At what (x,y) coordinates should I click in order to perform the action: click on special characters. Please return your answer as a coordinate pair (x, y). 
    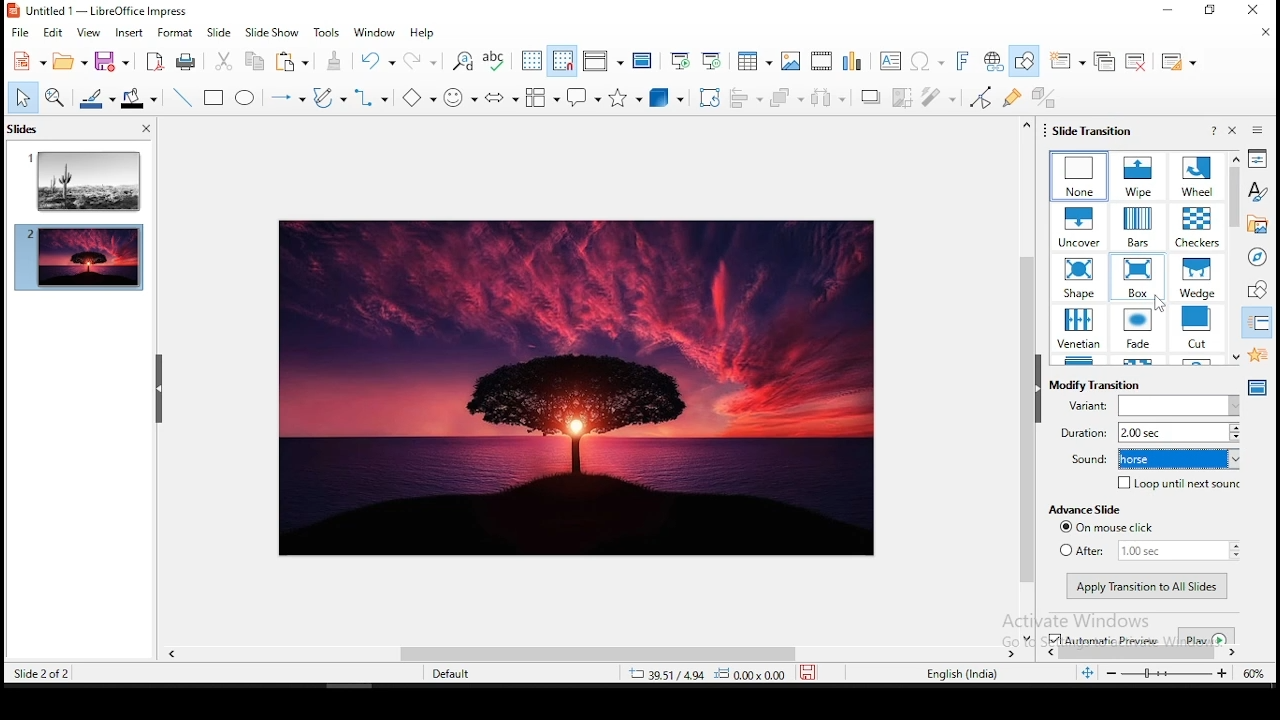
    Looking at the image, I should click on (926, 63).